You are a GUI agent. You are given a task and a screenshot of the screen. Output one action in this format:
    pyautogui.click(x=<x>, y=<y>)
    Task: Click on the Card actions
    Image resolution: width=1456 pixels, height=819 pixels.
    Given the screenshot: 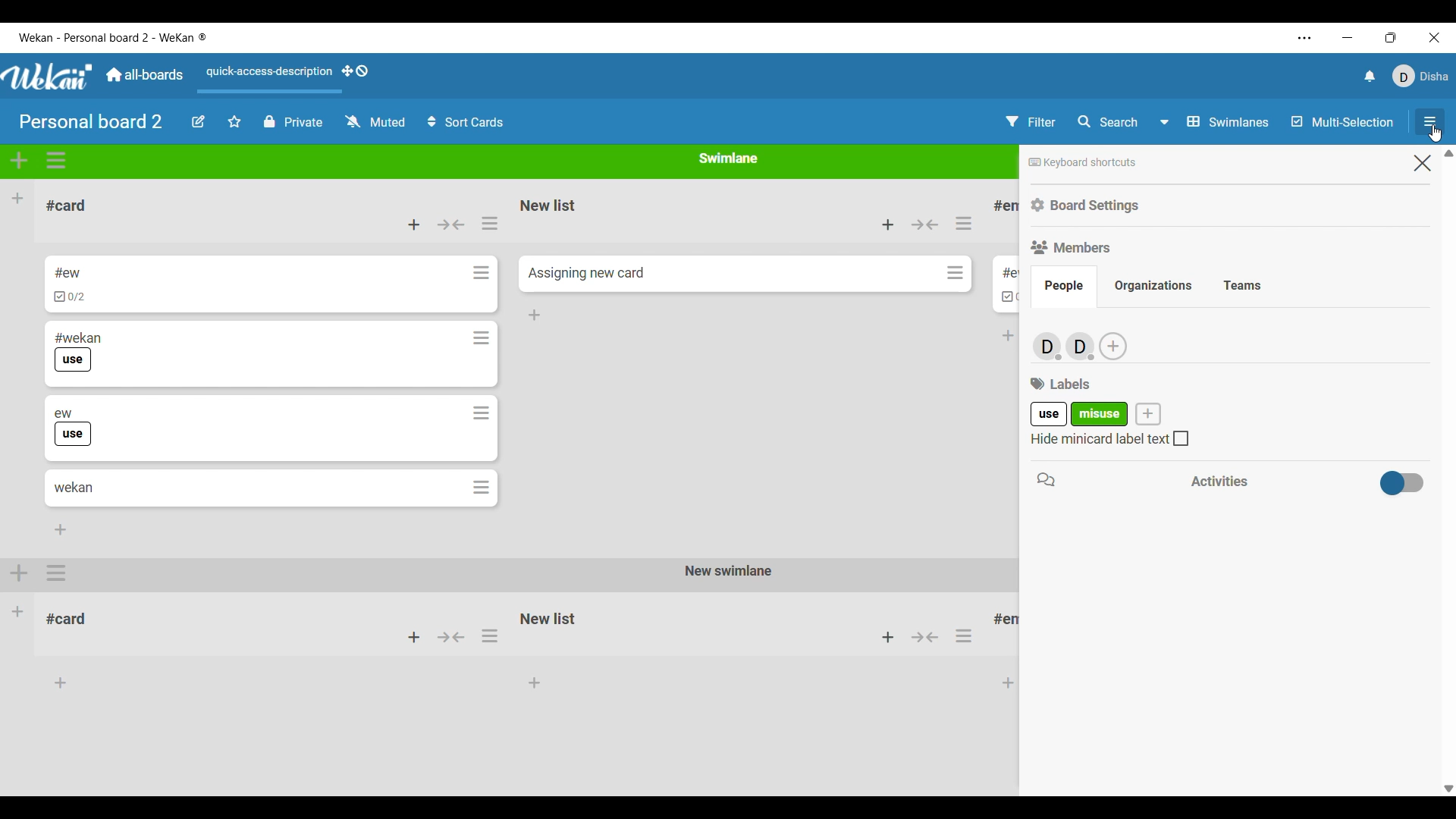 What is the action you would take?
    pyautogui.click(x=955, y=272)
    